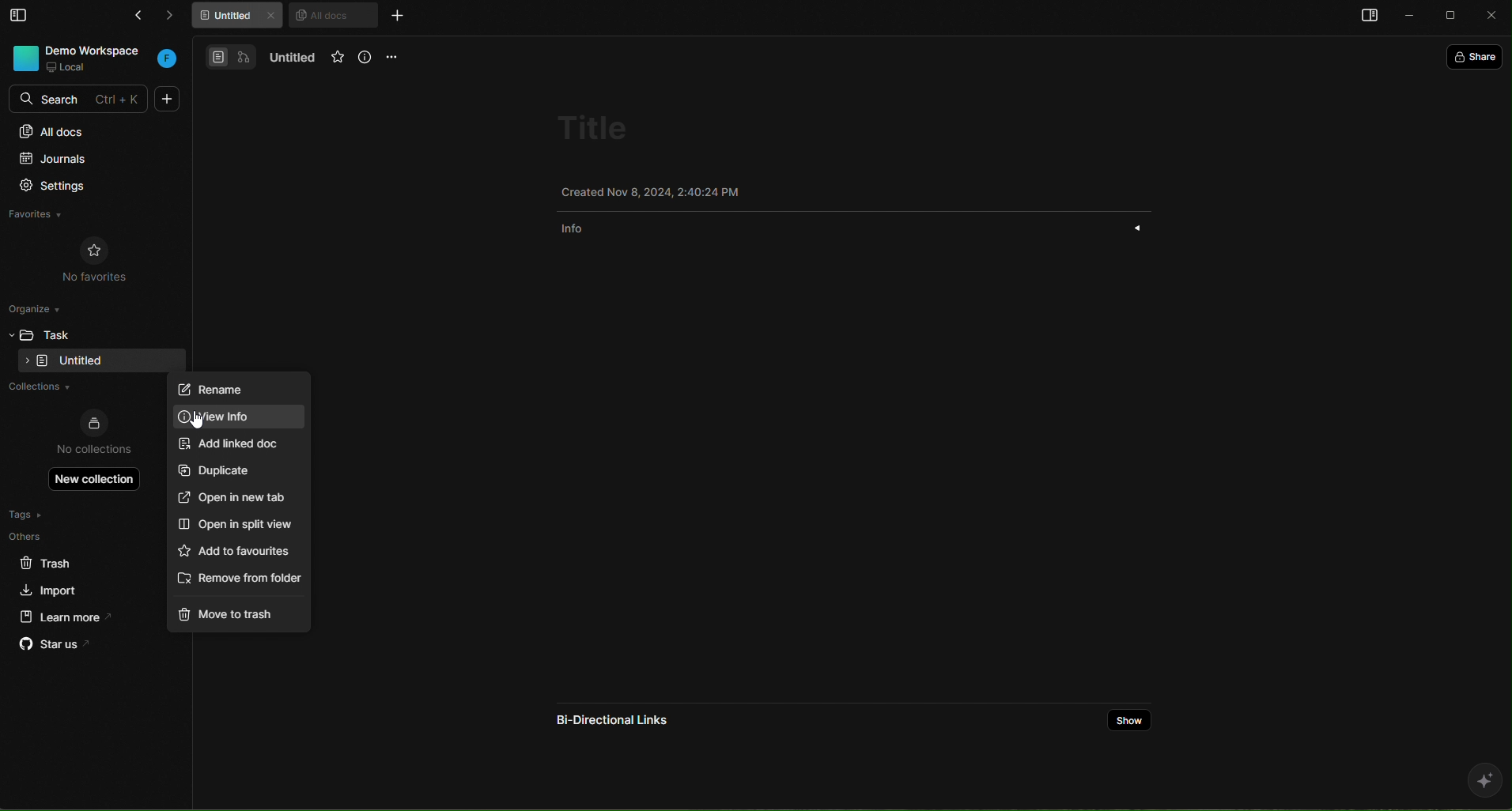  I want to click on New info, so click(235, 420).